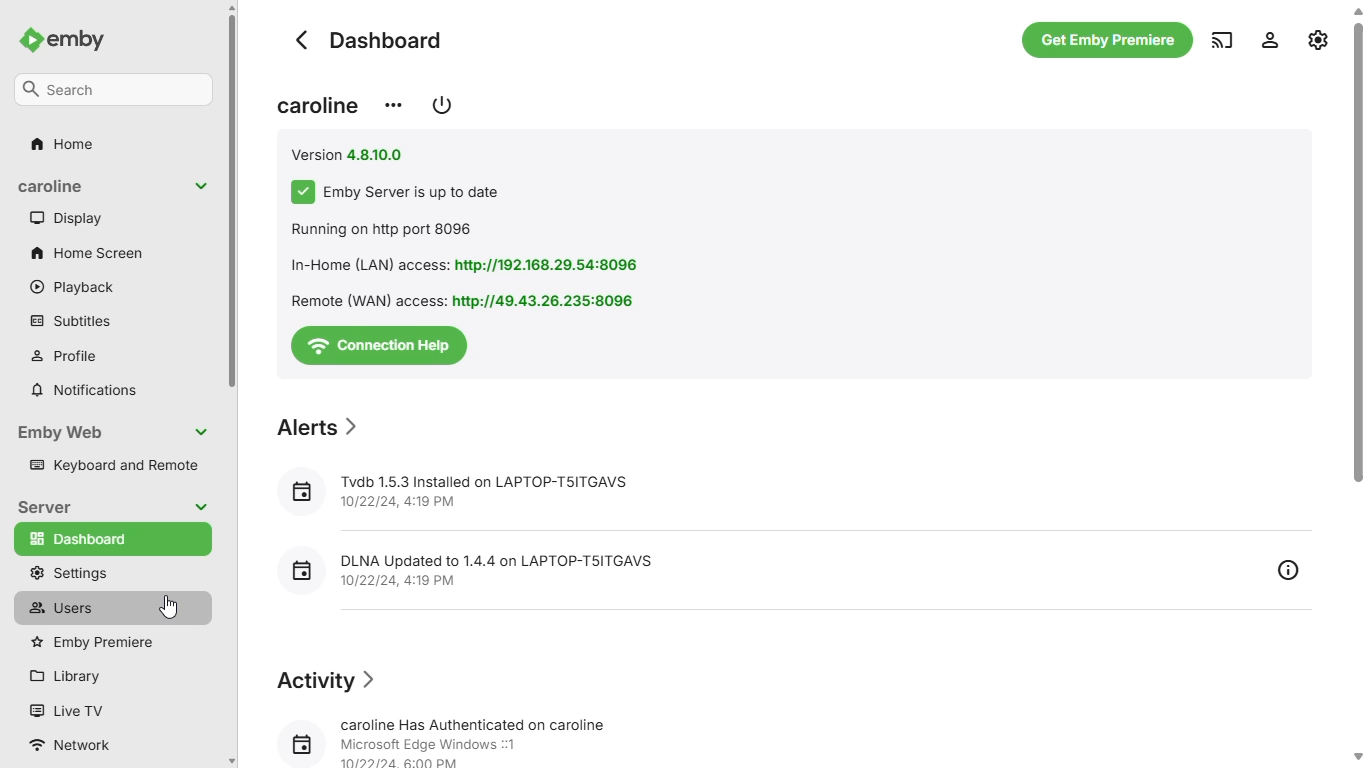 Image resolution: width=1366 pixels, height=768 pixels. I want to click on notifications, so click(85, 391).